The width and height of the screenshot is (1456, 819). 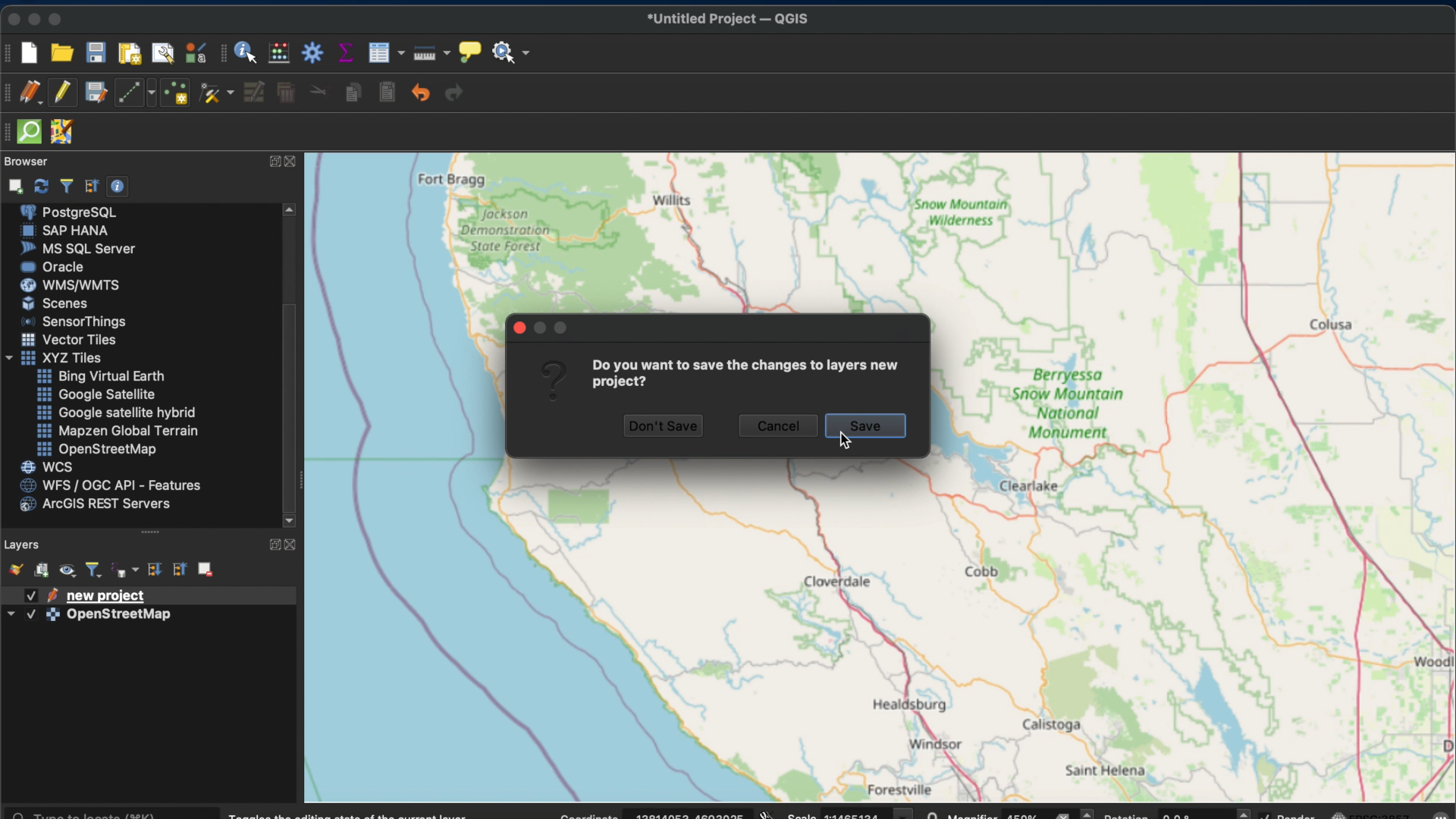 I want to click on new project, so click(x=33, y=54).